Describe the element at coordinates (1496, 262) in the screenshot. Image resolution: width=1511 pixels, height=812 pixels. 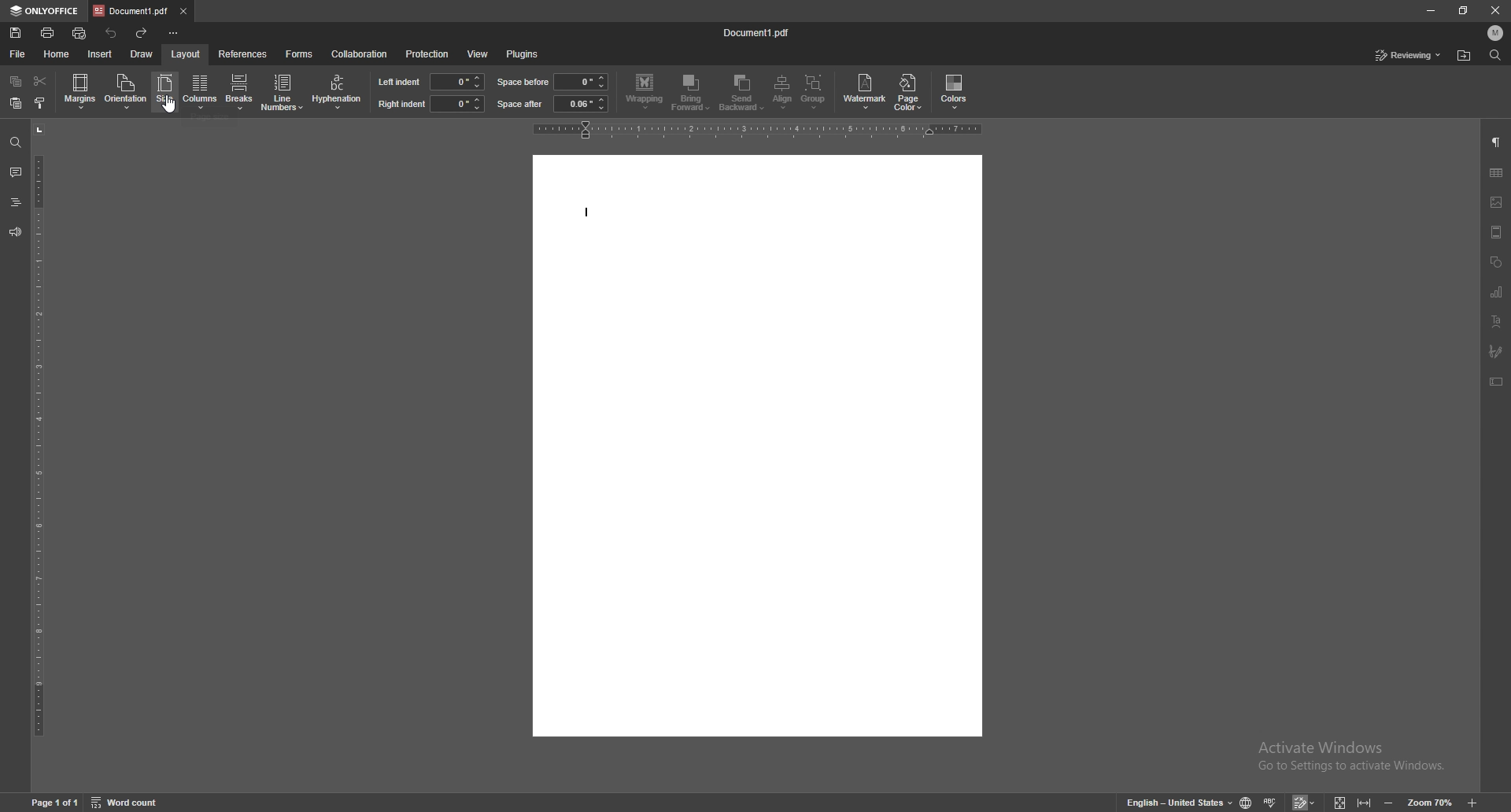
I see `shapes` at that location.